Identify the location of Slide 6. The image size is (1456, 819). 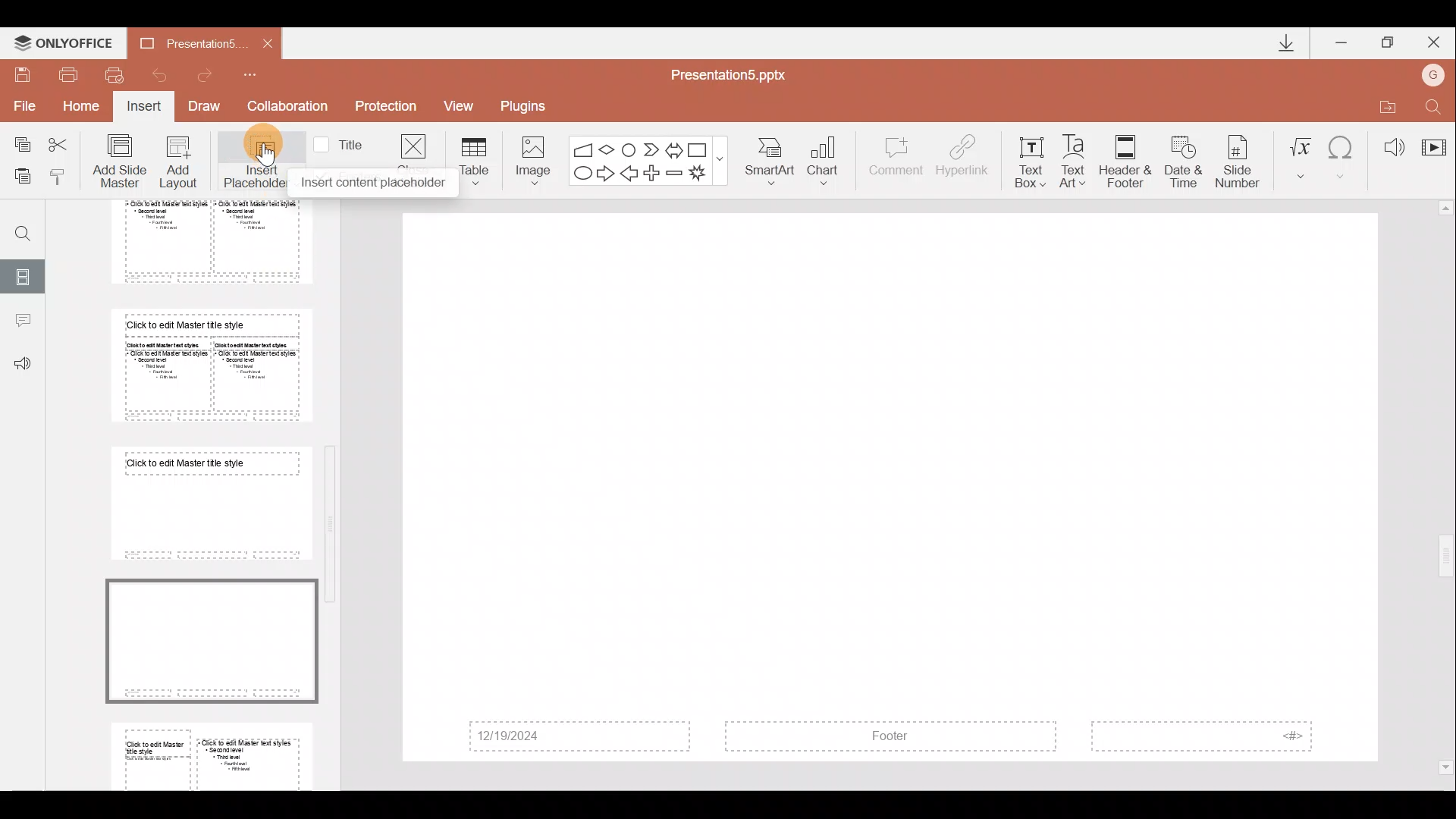
(206, 365).